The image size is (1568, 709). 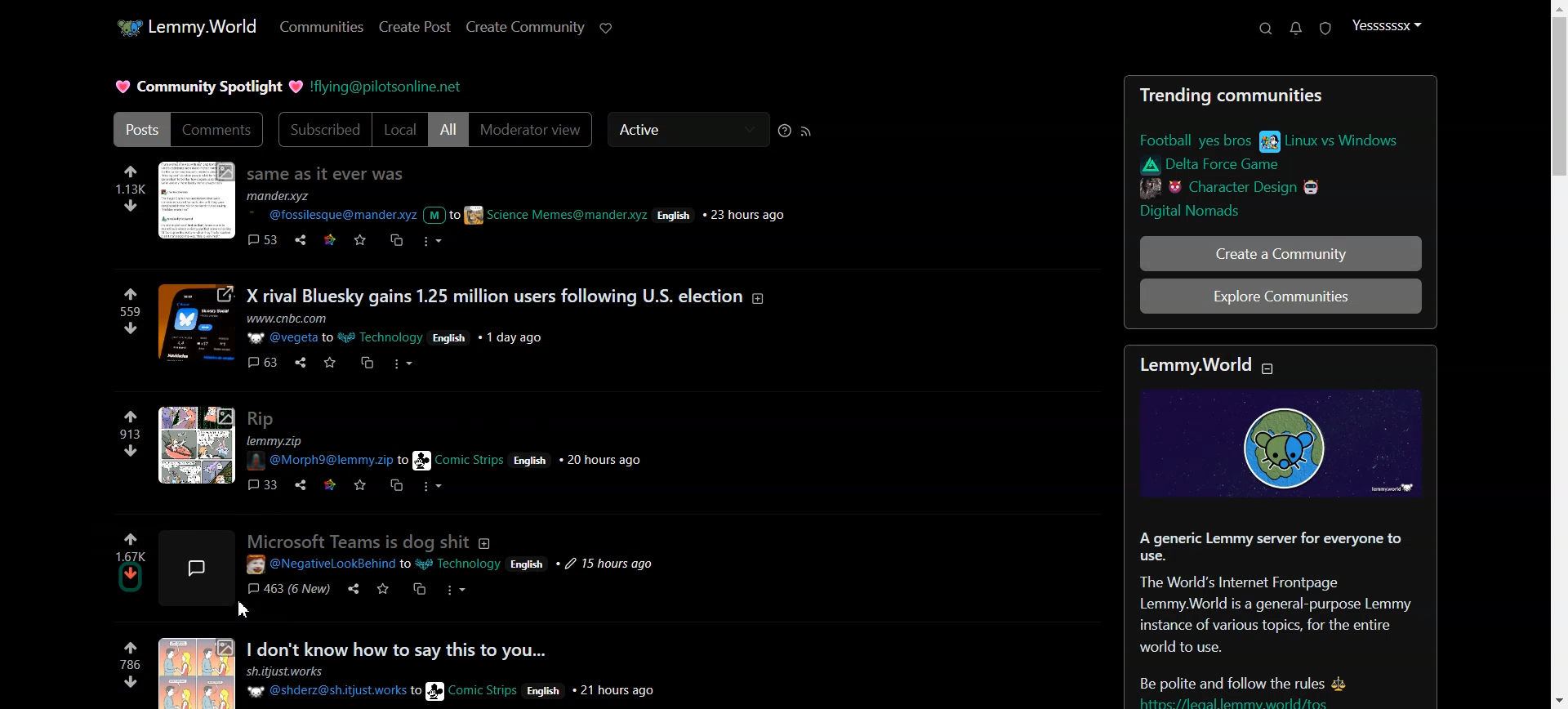 What do you see at coordinates (1283, 613) in the screenshot?
I see `Text` at bounding box center [1283, 613].